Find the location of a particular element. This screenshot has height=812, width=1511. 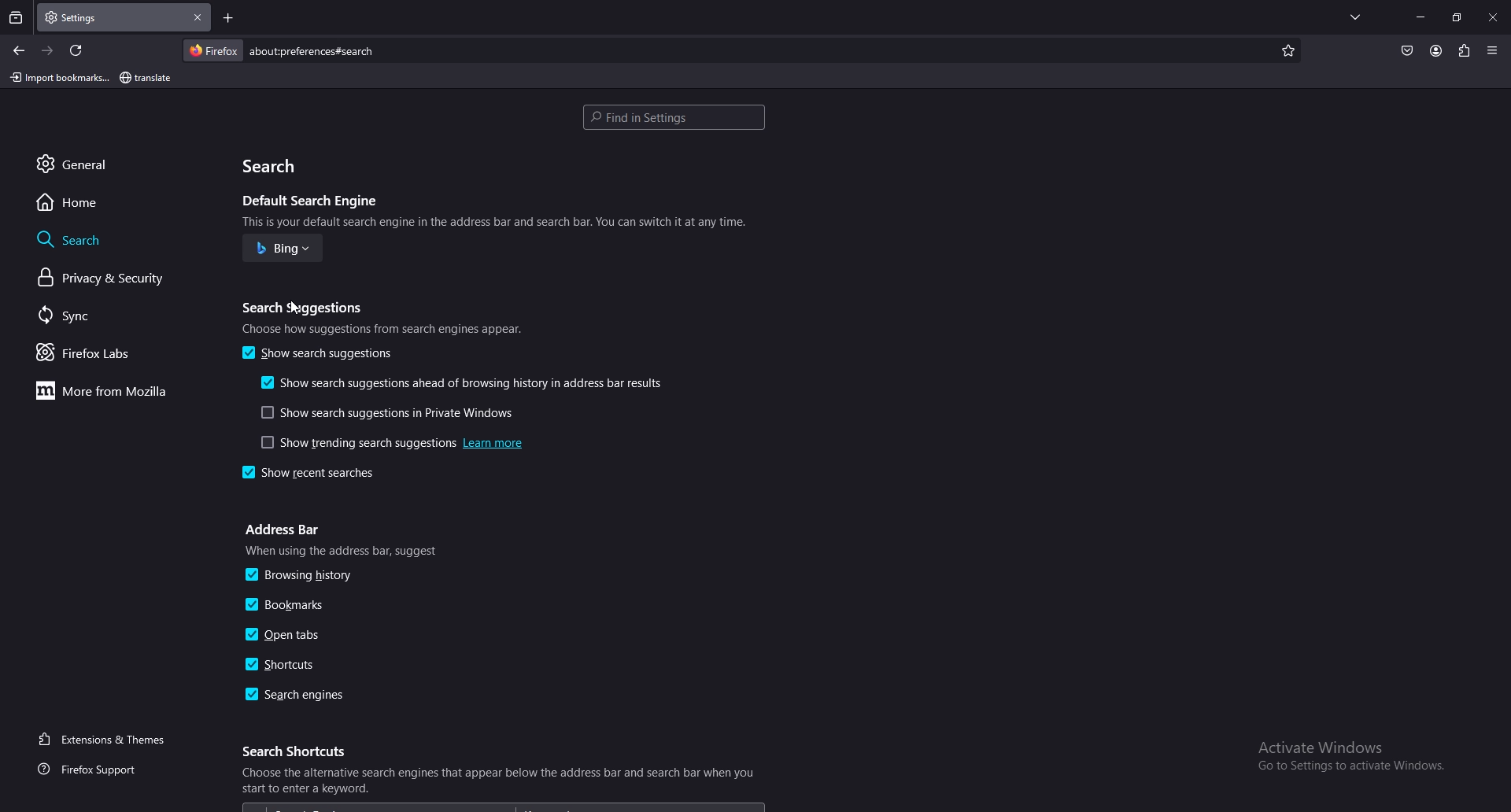

browsing history is located at coordinates (305, 574).